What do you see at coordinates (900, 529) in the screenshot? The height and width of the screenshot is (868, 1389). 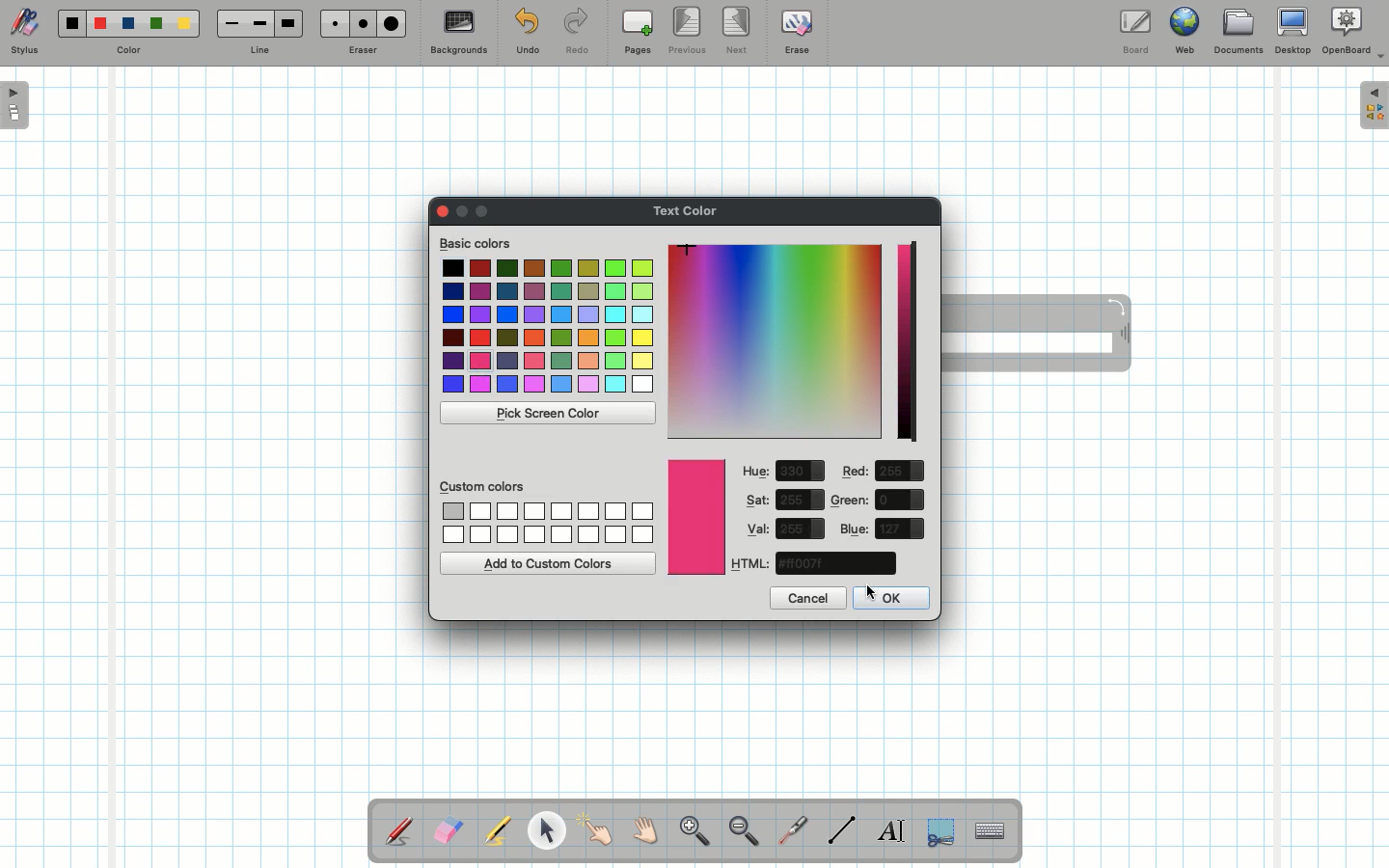 I see `value` at bounding box center [900, 529].